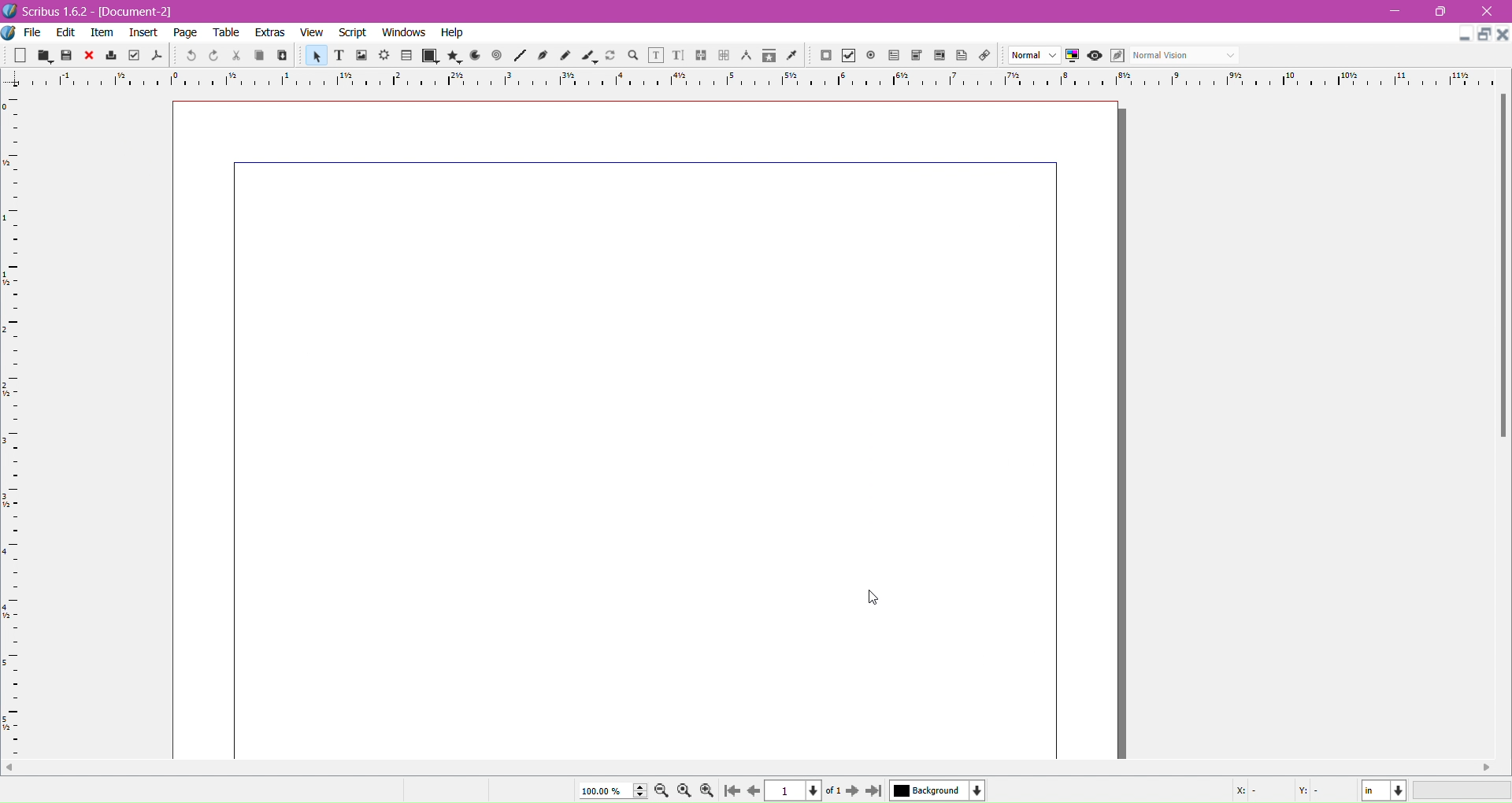 The width and height of the screenshot is (1512, 803). Describe the element at coordinates (13, 413) in the screenshot. I see `Left scale` at that location.